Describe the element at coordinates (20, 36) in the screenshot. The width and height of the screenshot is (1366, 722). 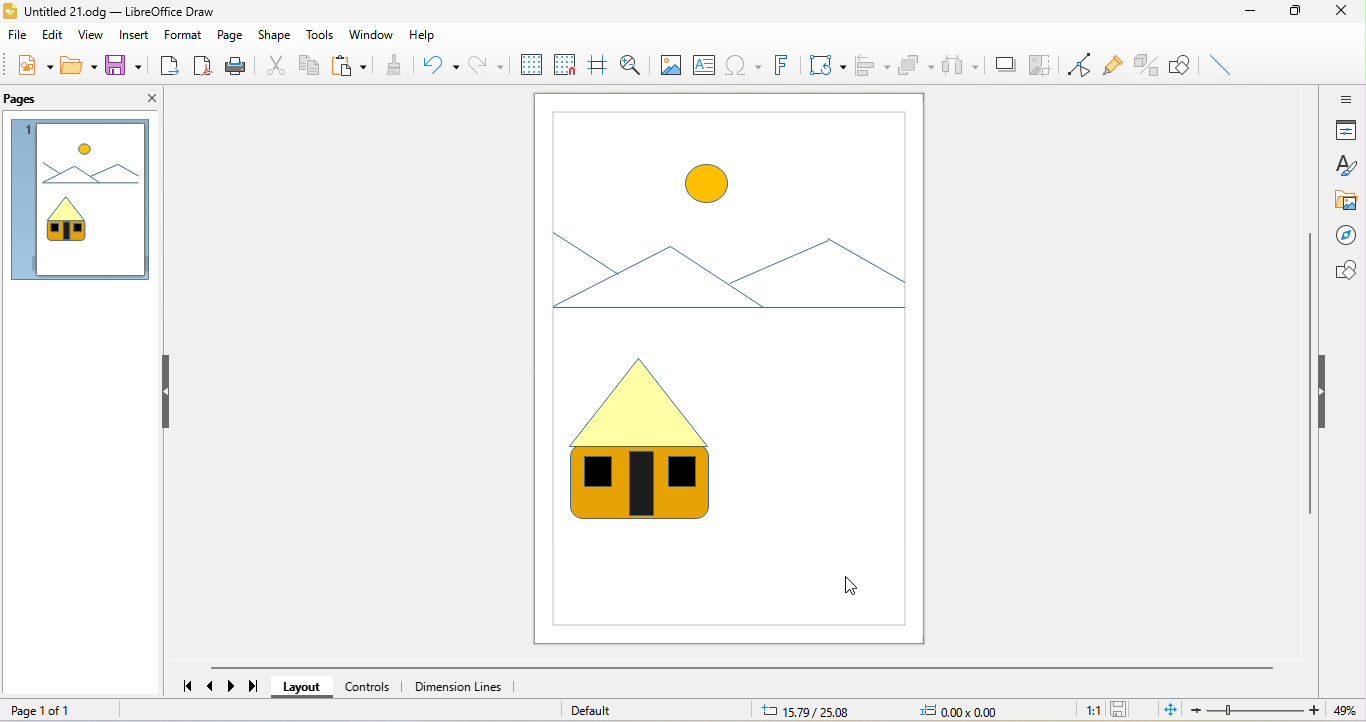
I see `file` at that location.